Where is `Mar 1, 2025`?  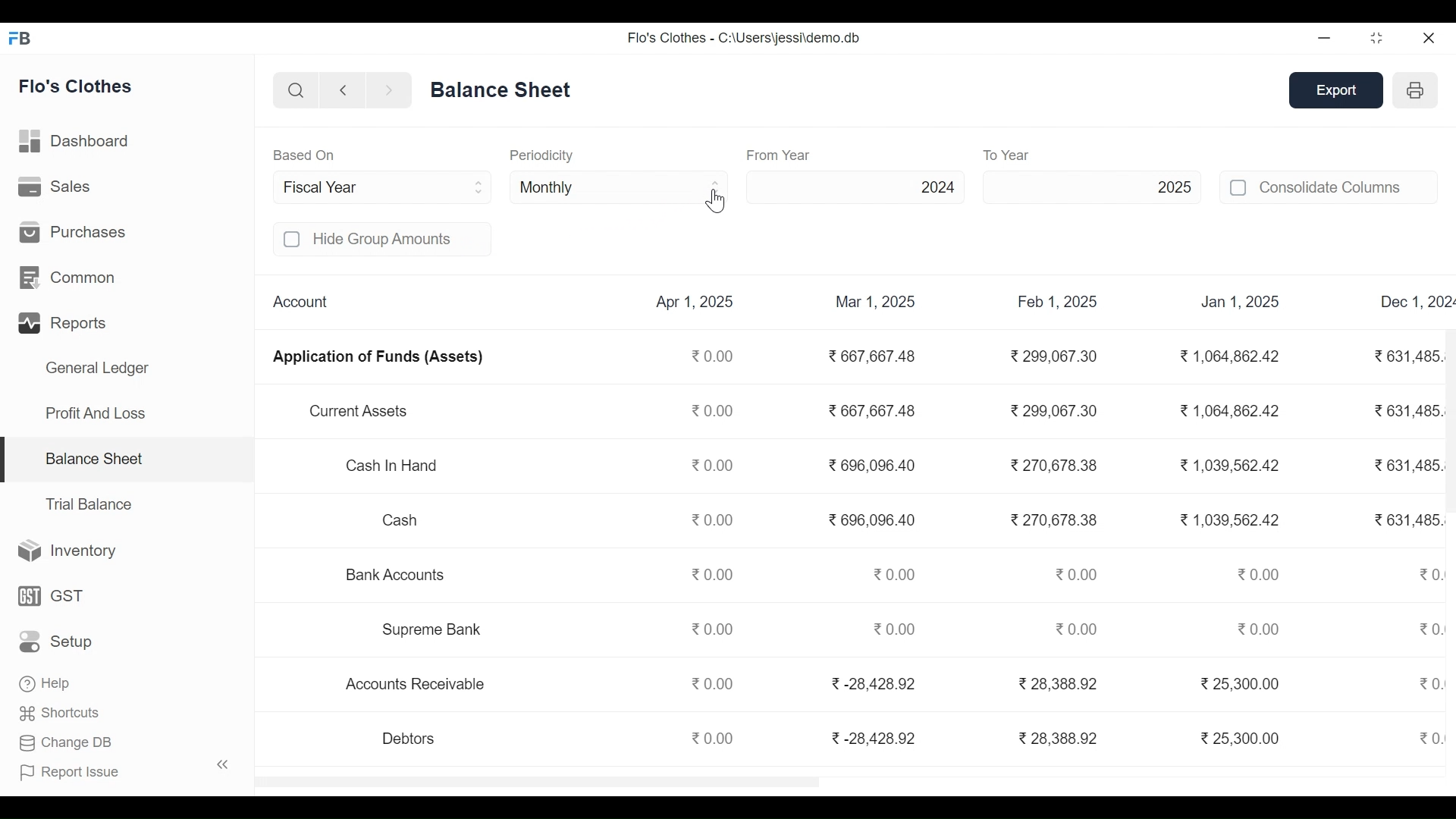 Mar 1, 2025 is located at coordinates (876, 302).